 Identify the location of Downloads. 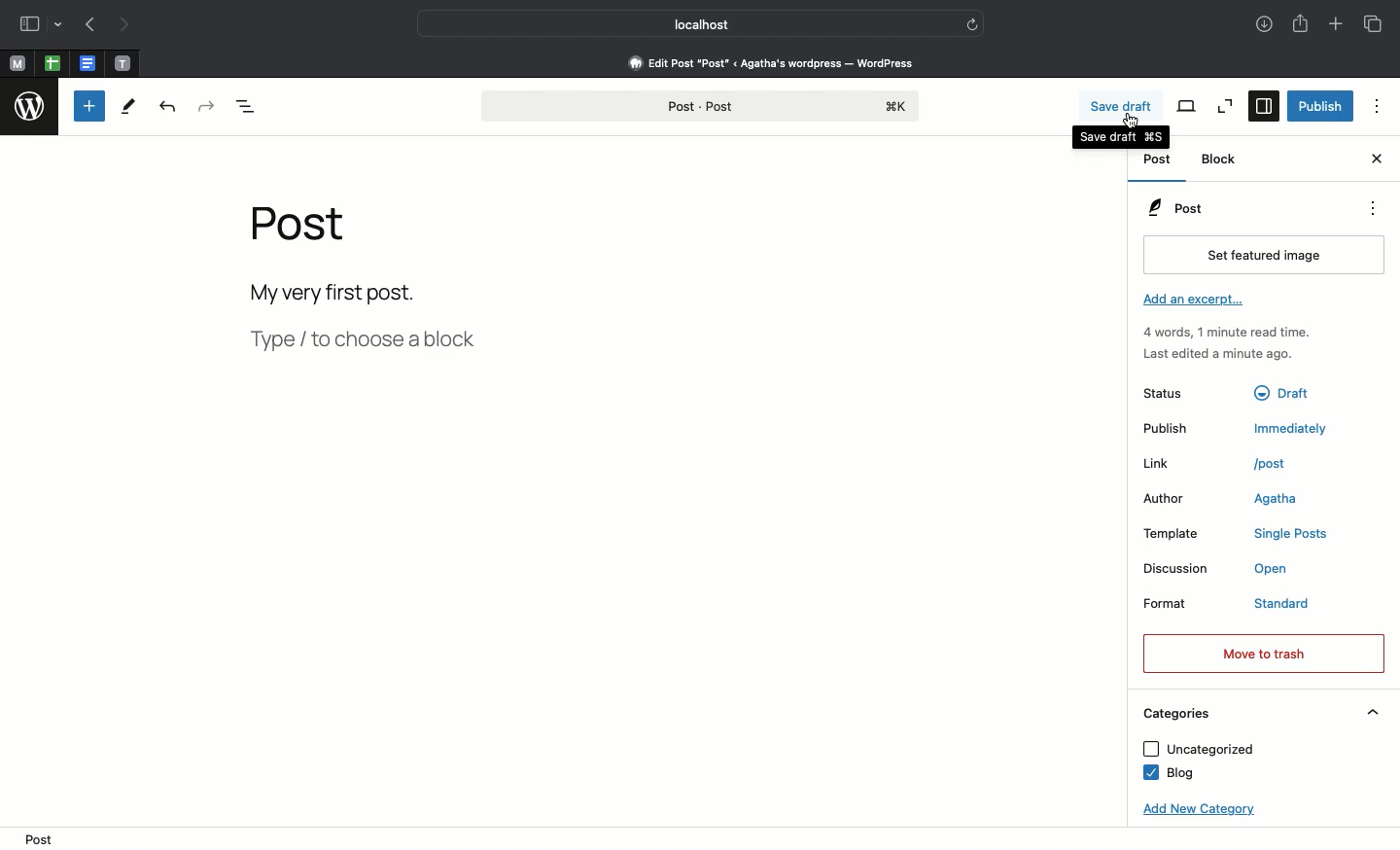
(1261, 25).